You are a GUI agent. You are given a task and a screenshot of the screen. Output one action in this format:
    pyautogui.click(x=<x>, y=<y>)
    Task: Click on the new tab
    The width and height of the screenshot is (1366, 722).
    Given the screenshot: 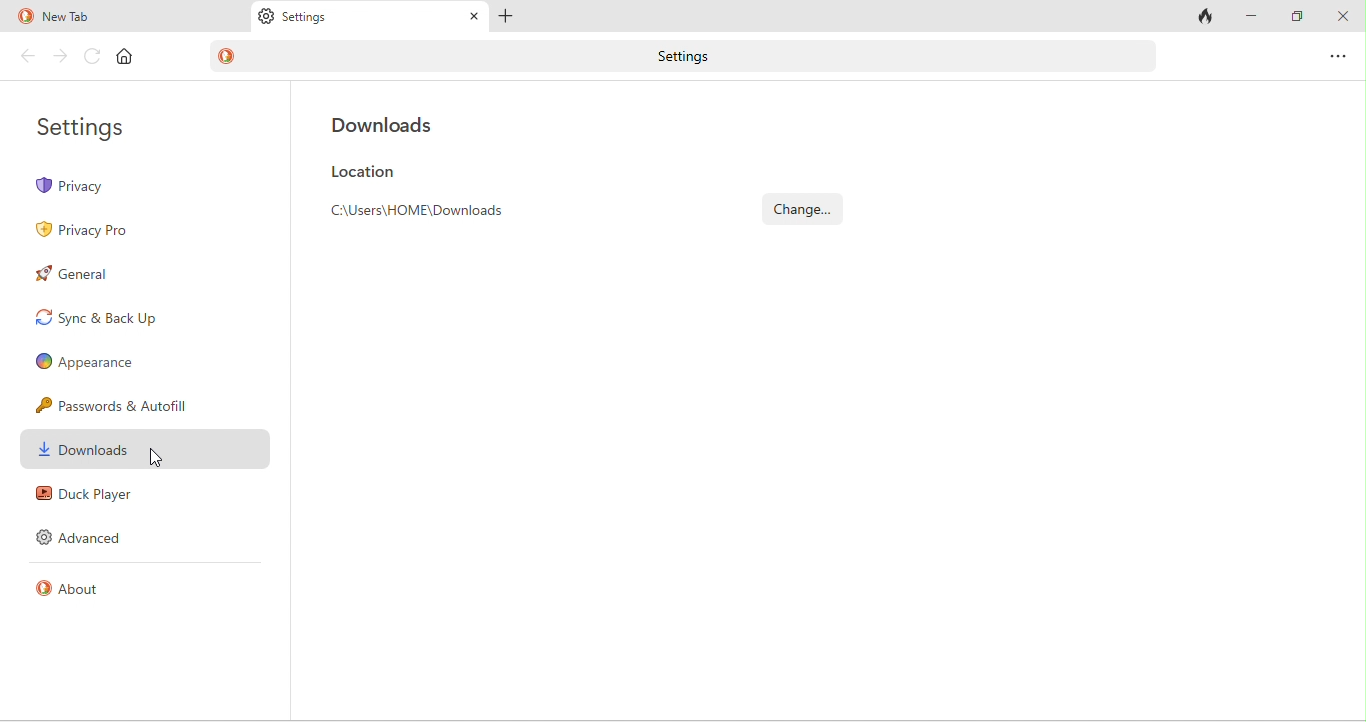 What is the action you would take?
    pyautogui.click(x=129, y=22)
    